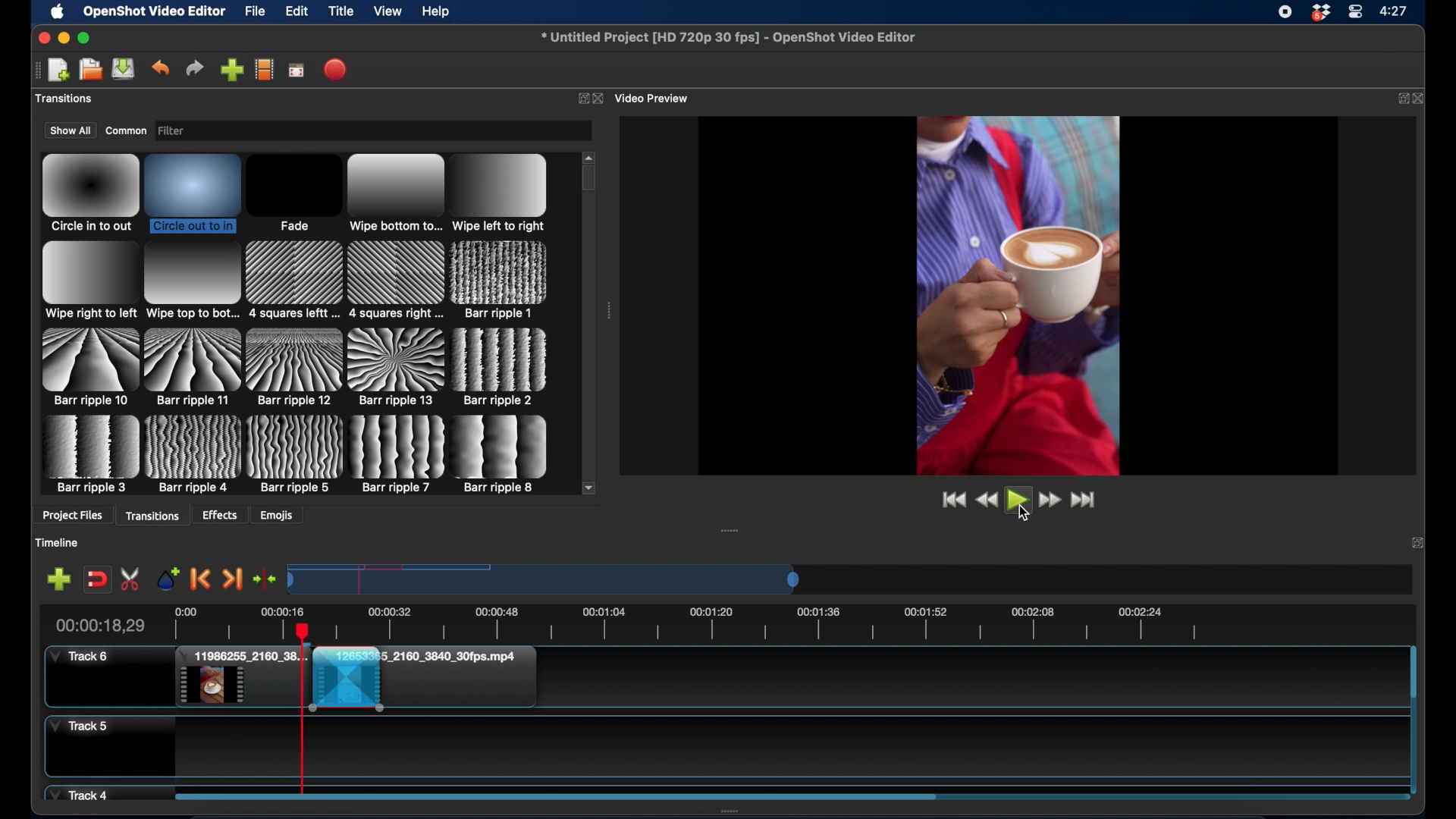 Image resolution: width=1456 pixels, height=819 pixels. What do you see at coordinates (124, 69) in the screenshot?
I see `save project` at bounding box center [124, 69].